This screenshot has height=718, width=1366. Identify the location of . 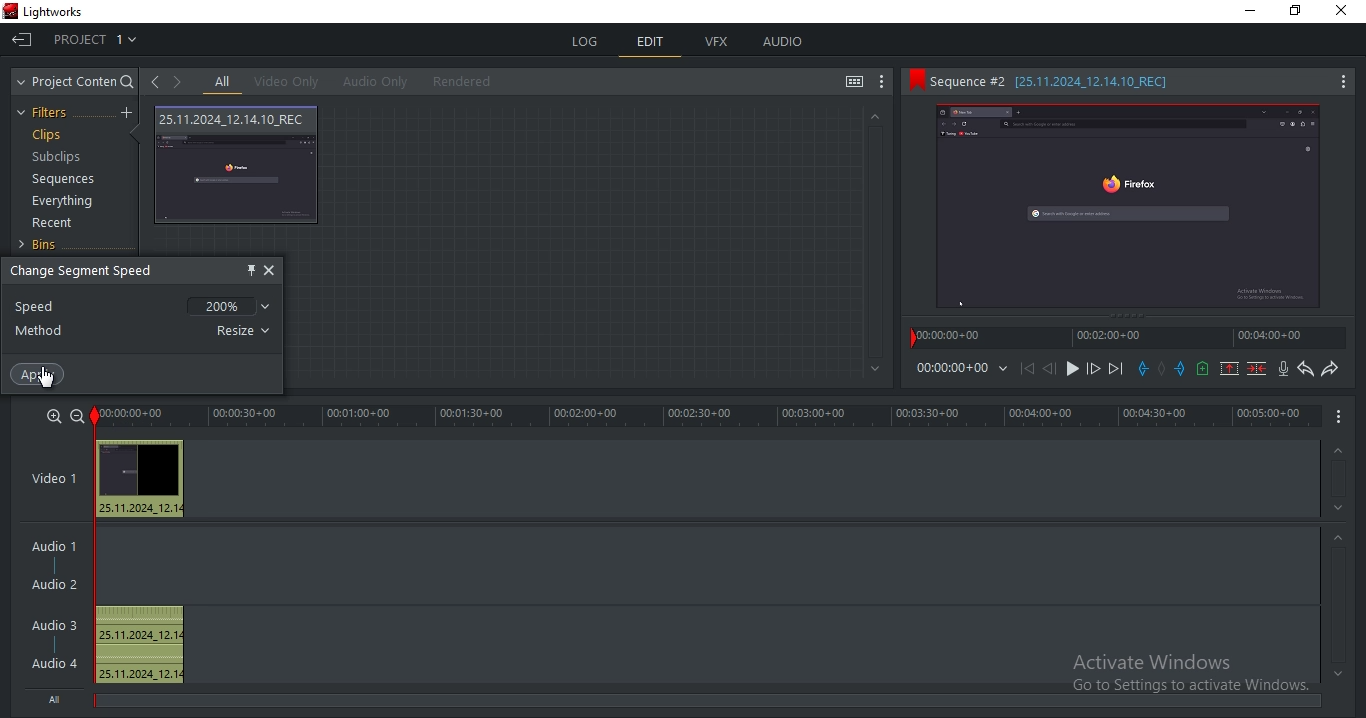
(855, 82).